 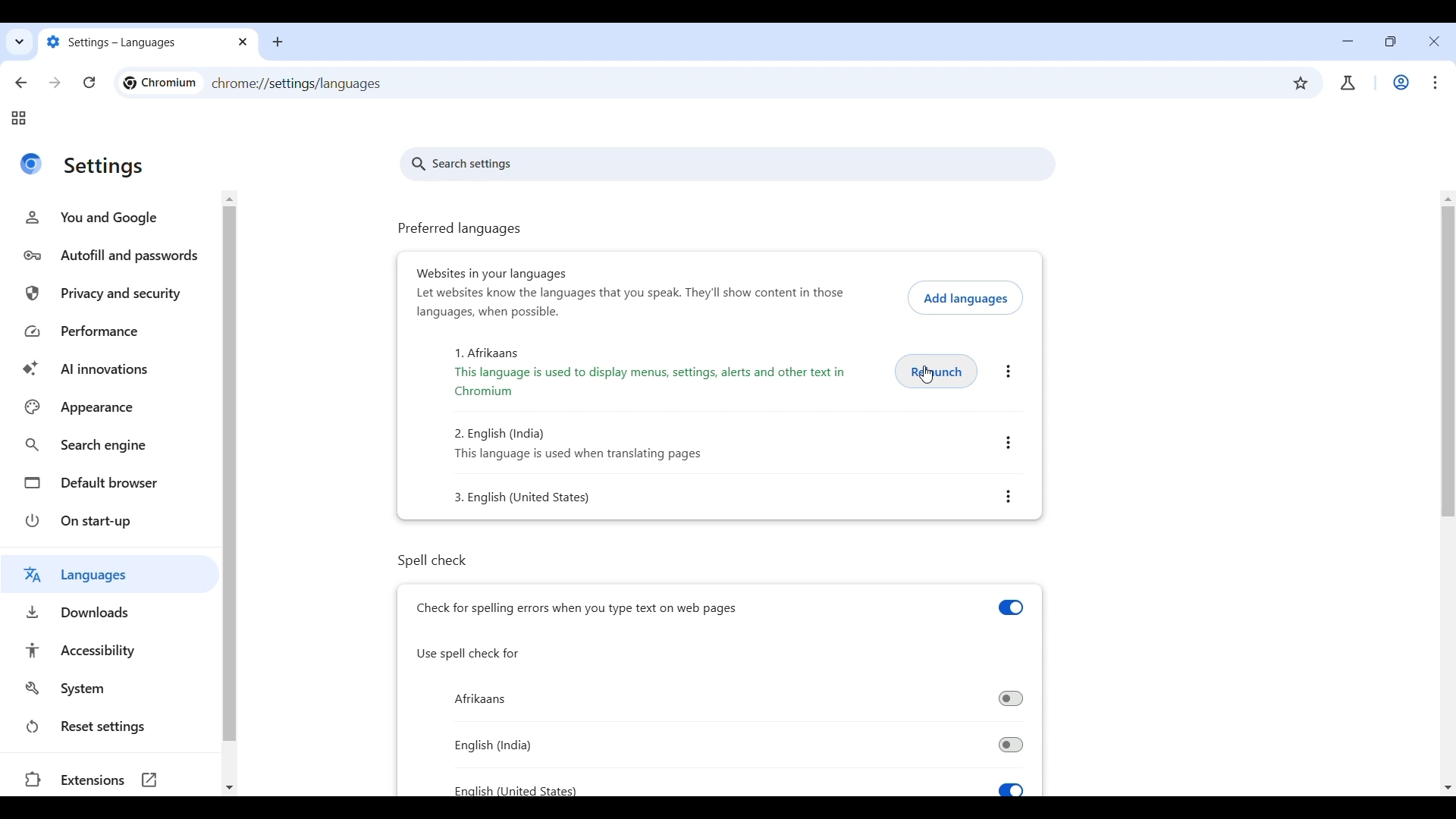 I want to click on search settings, so click(x=730, y=165).